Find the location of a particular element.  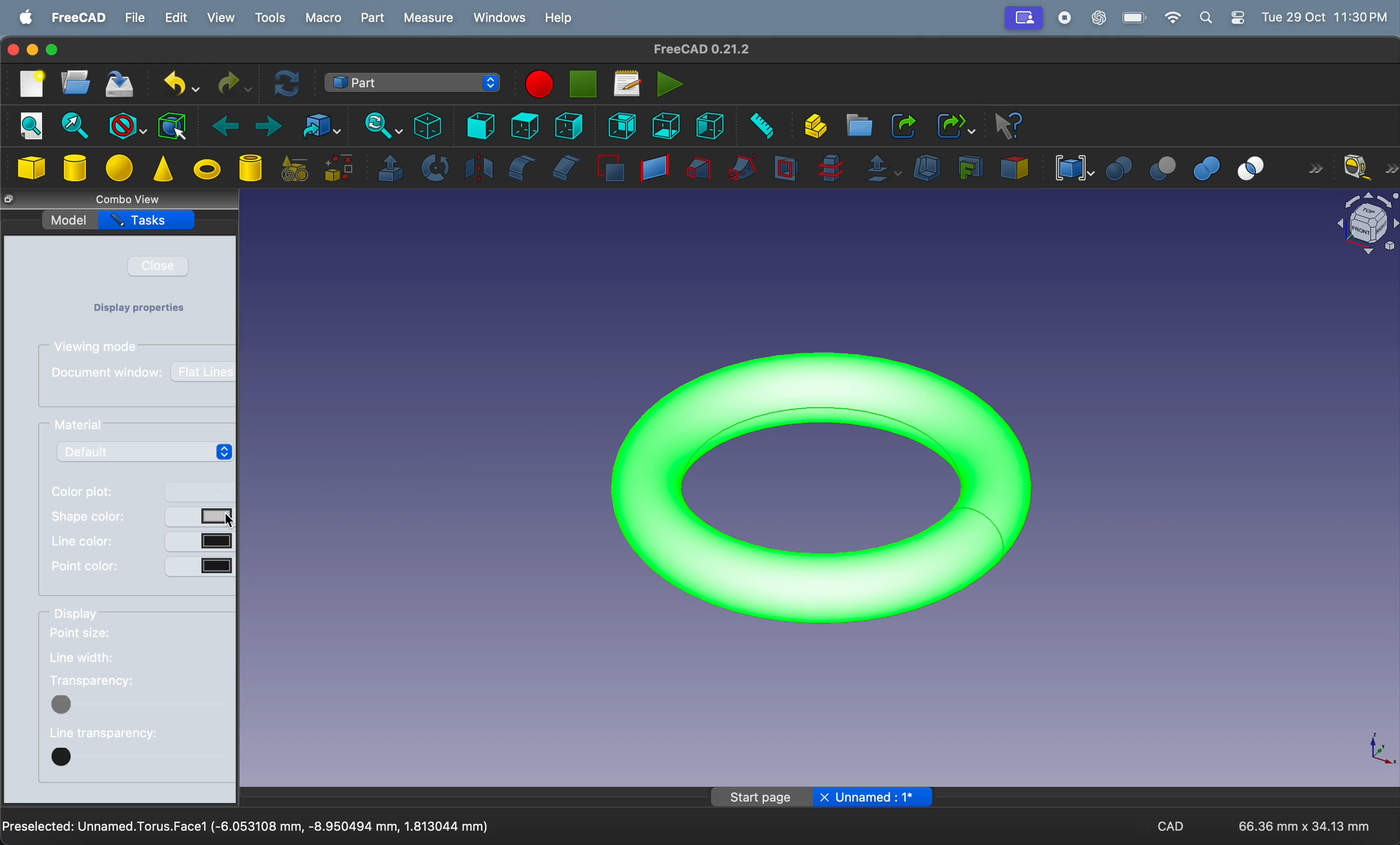

cylinder is located at coordinates (252, 169).